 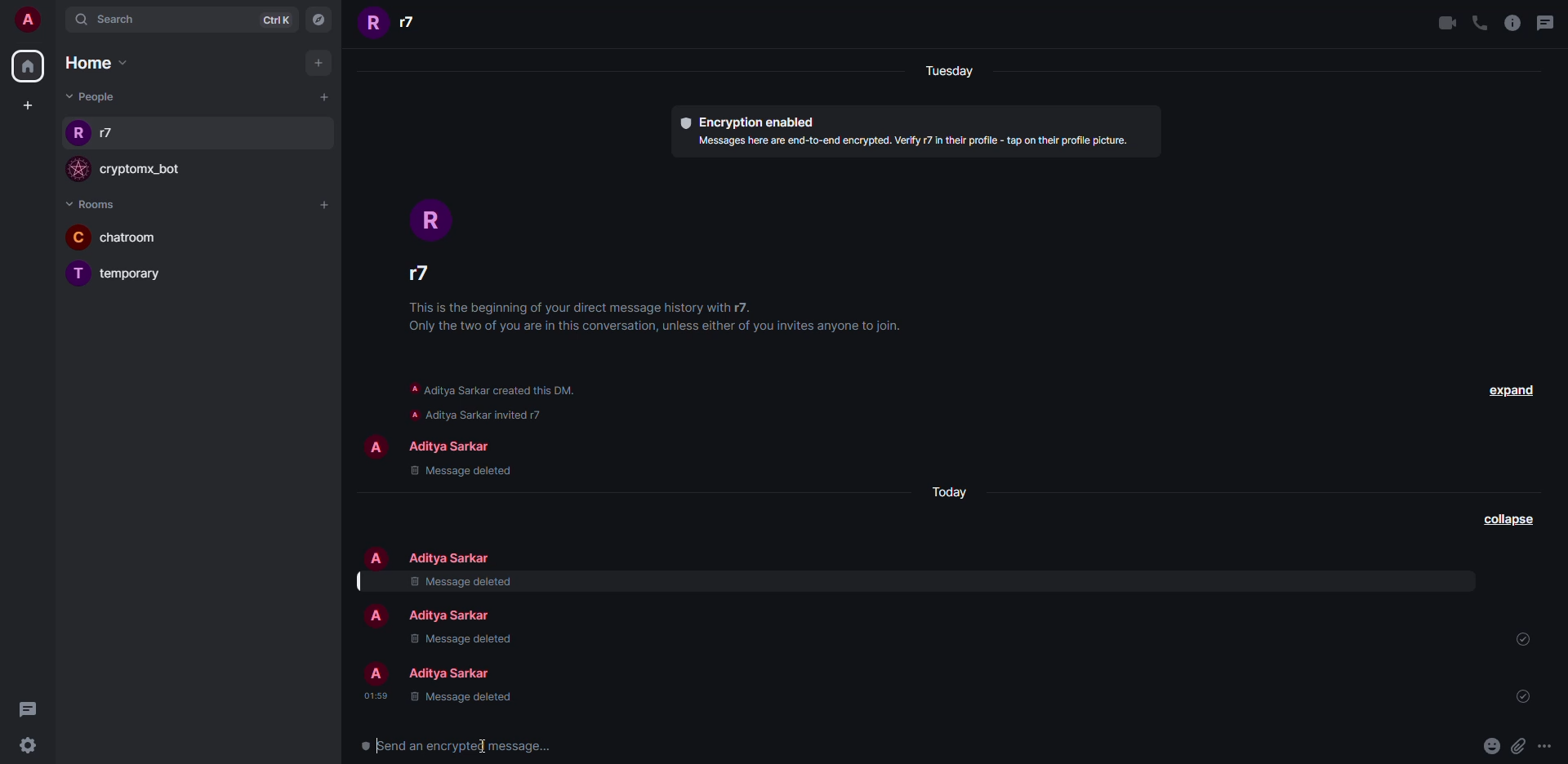 What do you see at coordinates (1511, 388) in the screenshot?
I see `expand` at bounding box center [1511, 388].